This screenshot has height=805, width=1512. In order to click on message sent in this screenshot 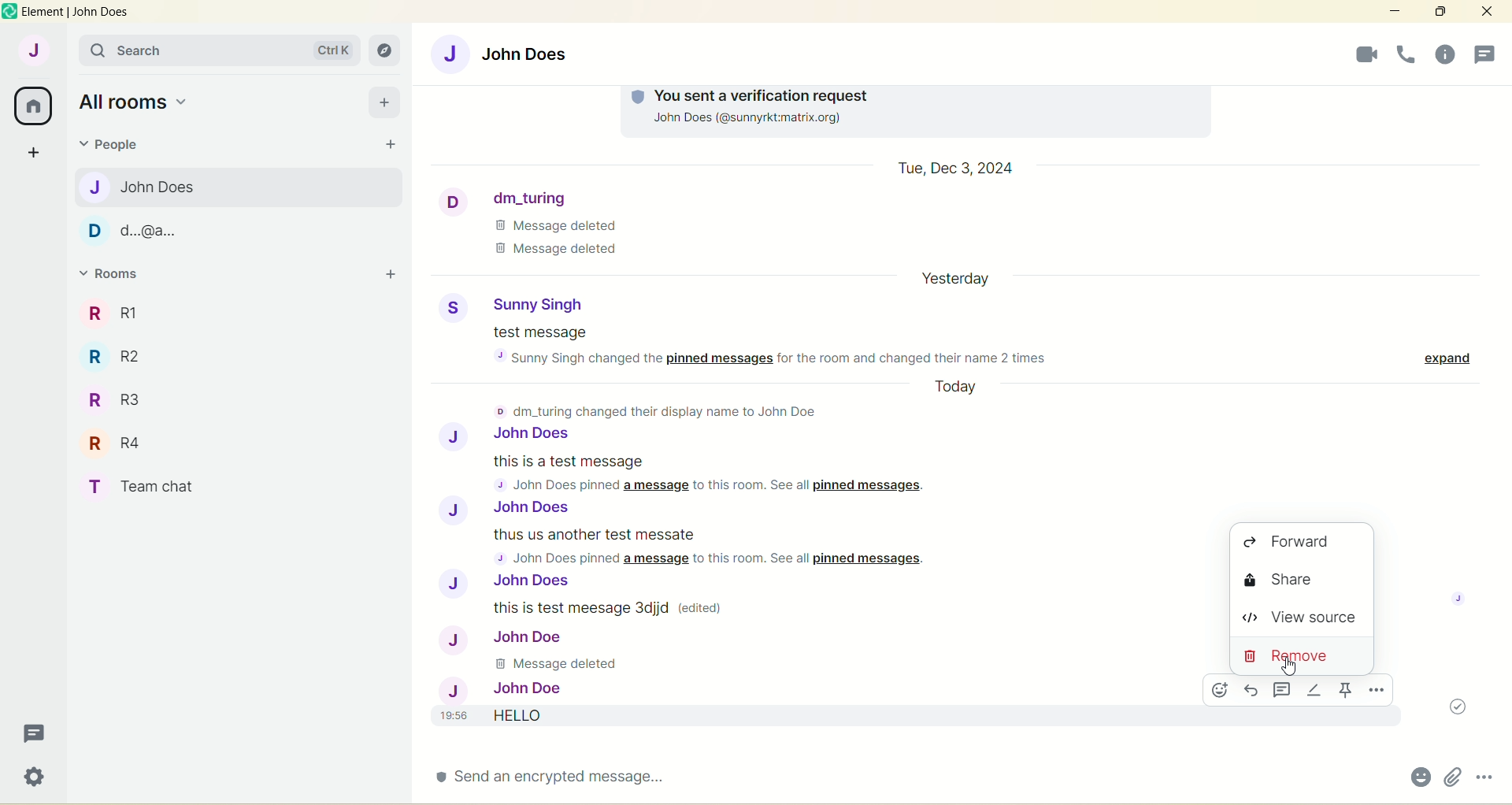, I will do `click(1452, 707)`.